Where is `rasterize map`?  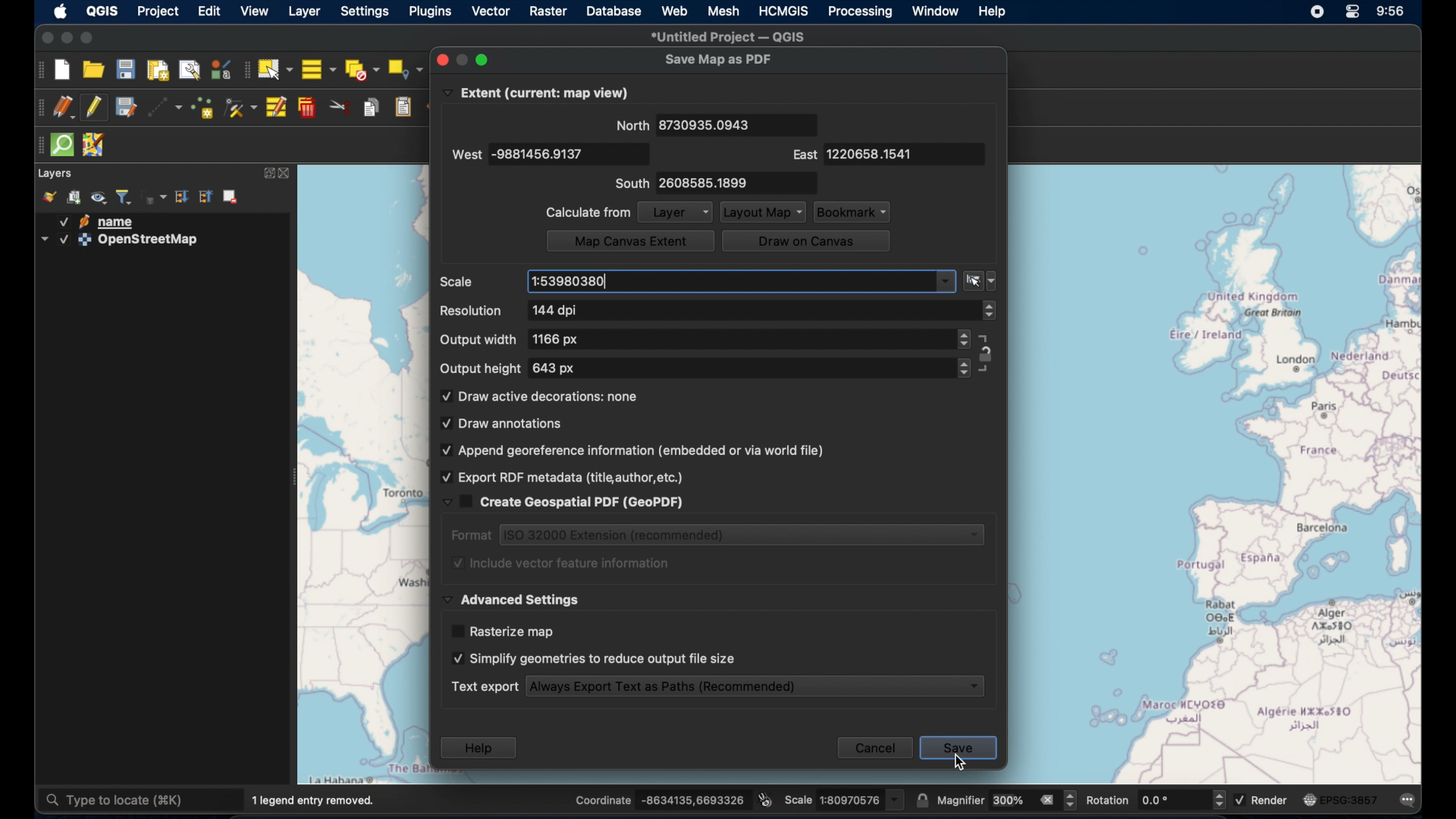 rasterize map is located at coordinates (504, 631).